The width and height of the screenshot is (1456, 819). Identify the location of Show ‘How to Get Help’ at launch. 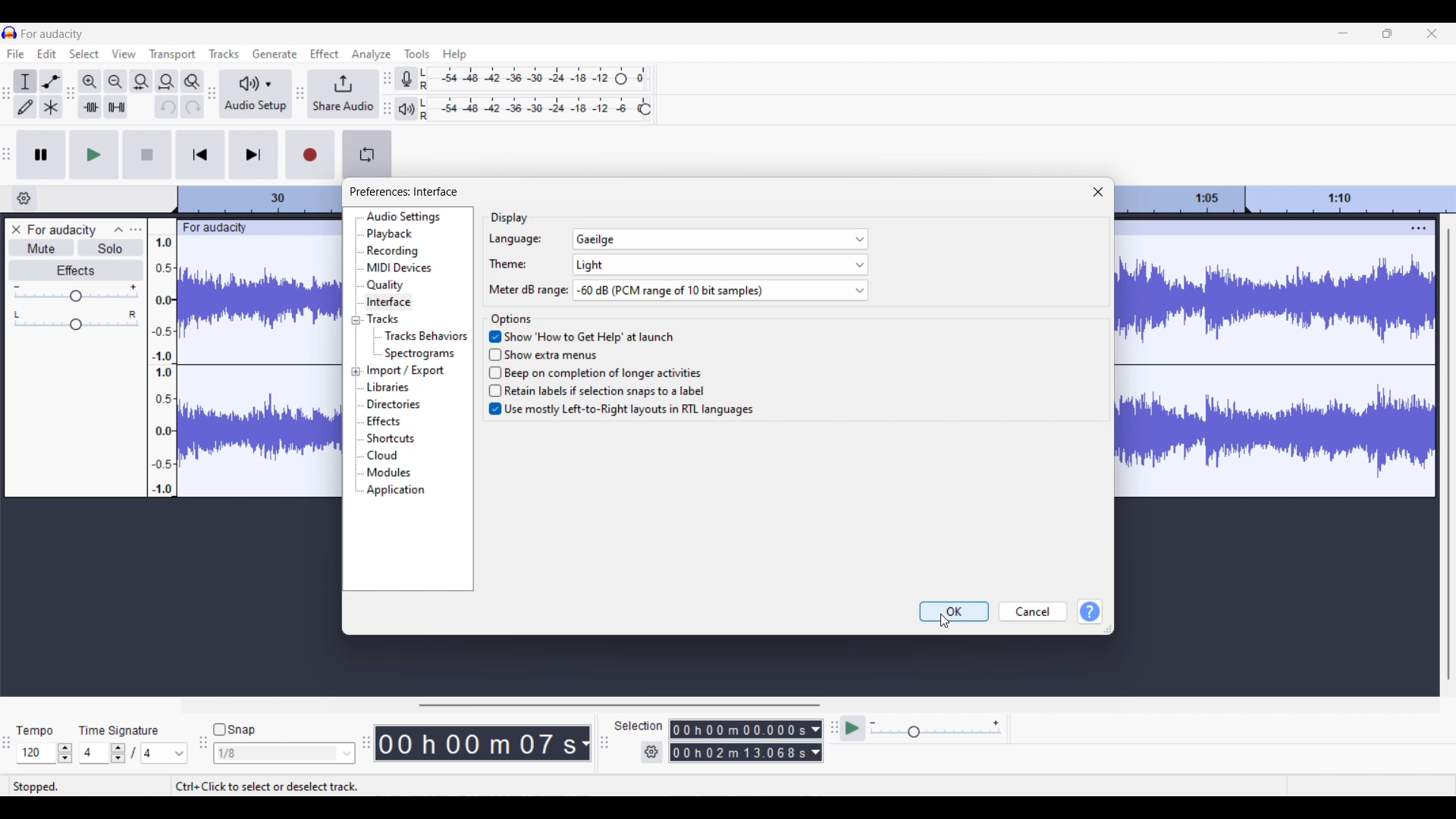
(582, 335).